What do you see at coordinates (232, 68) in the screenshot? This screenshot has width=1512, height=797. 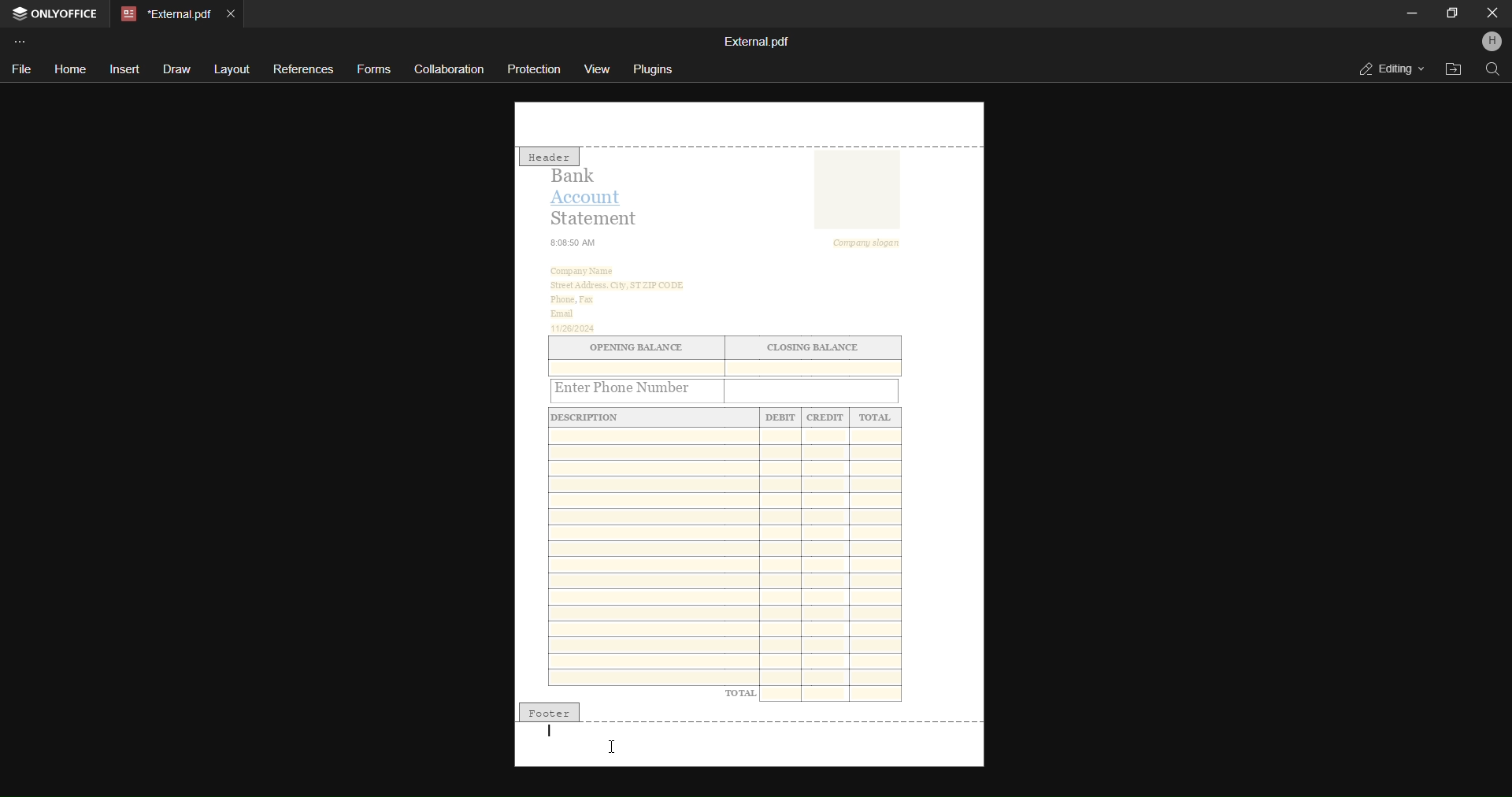 I see `layout` at bounding box center [232, 68].